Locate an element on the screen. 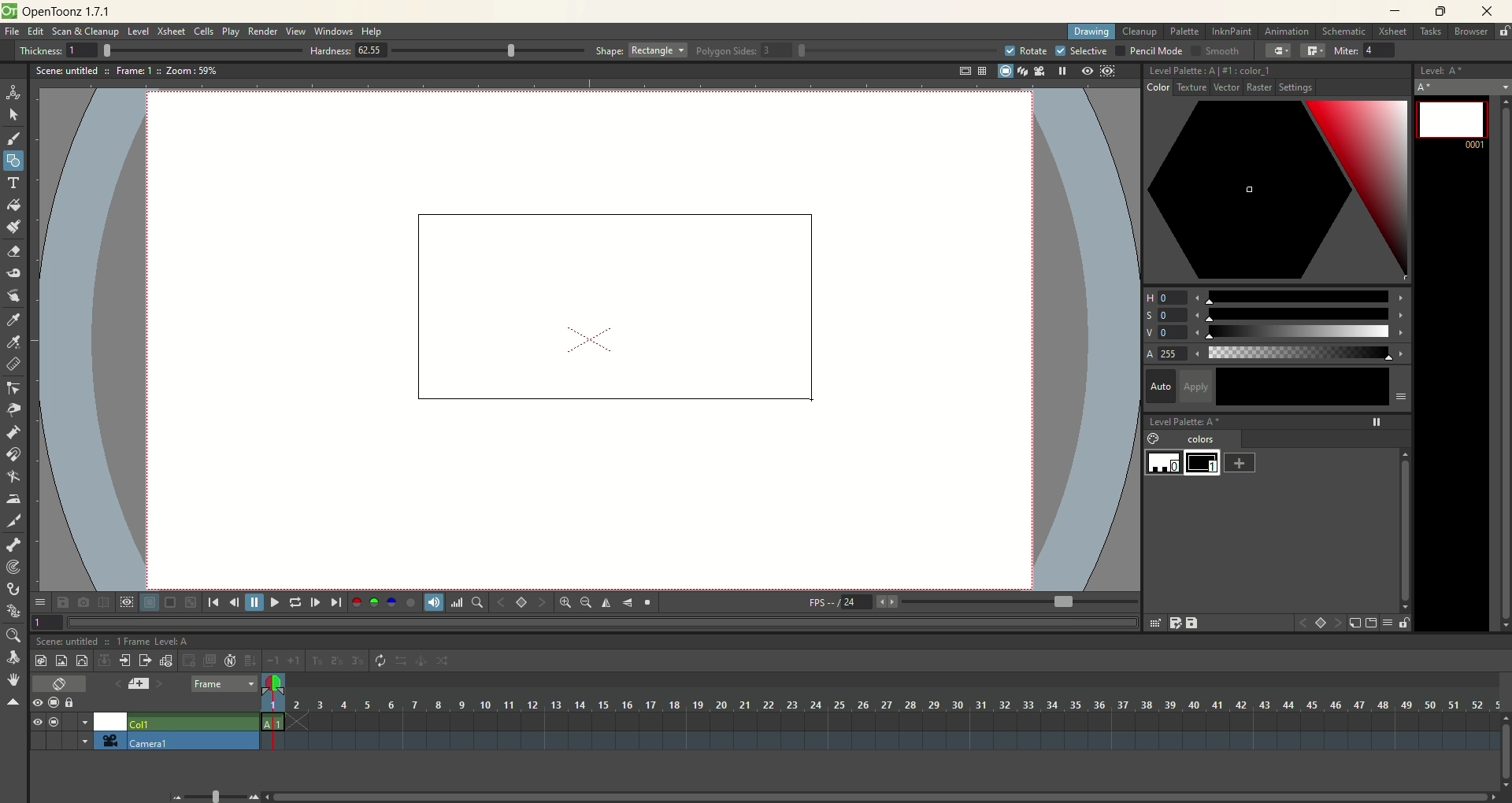  cap is located at coordinates (1279, 51).